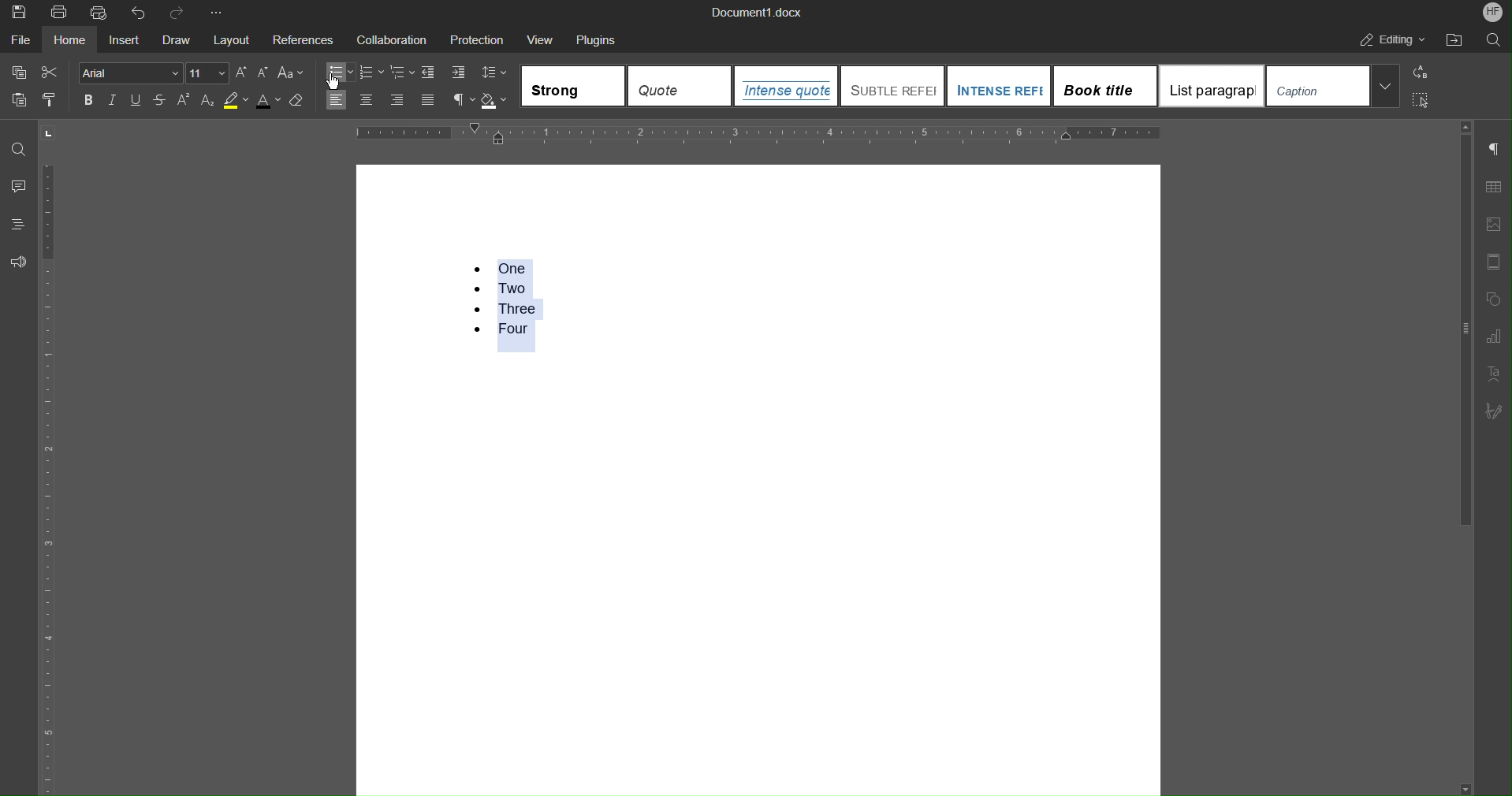  Describe the element at coordinates (1105, 84) in the screenshot. I see `Book Title` at that location.